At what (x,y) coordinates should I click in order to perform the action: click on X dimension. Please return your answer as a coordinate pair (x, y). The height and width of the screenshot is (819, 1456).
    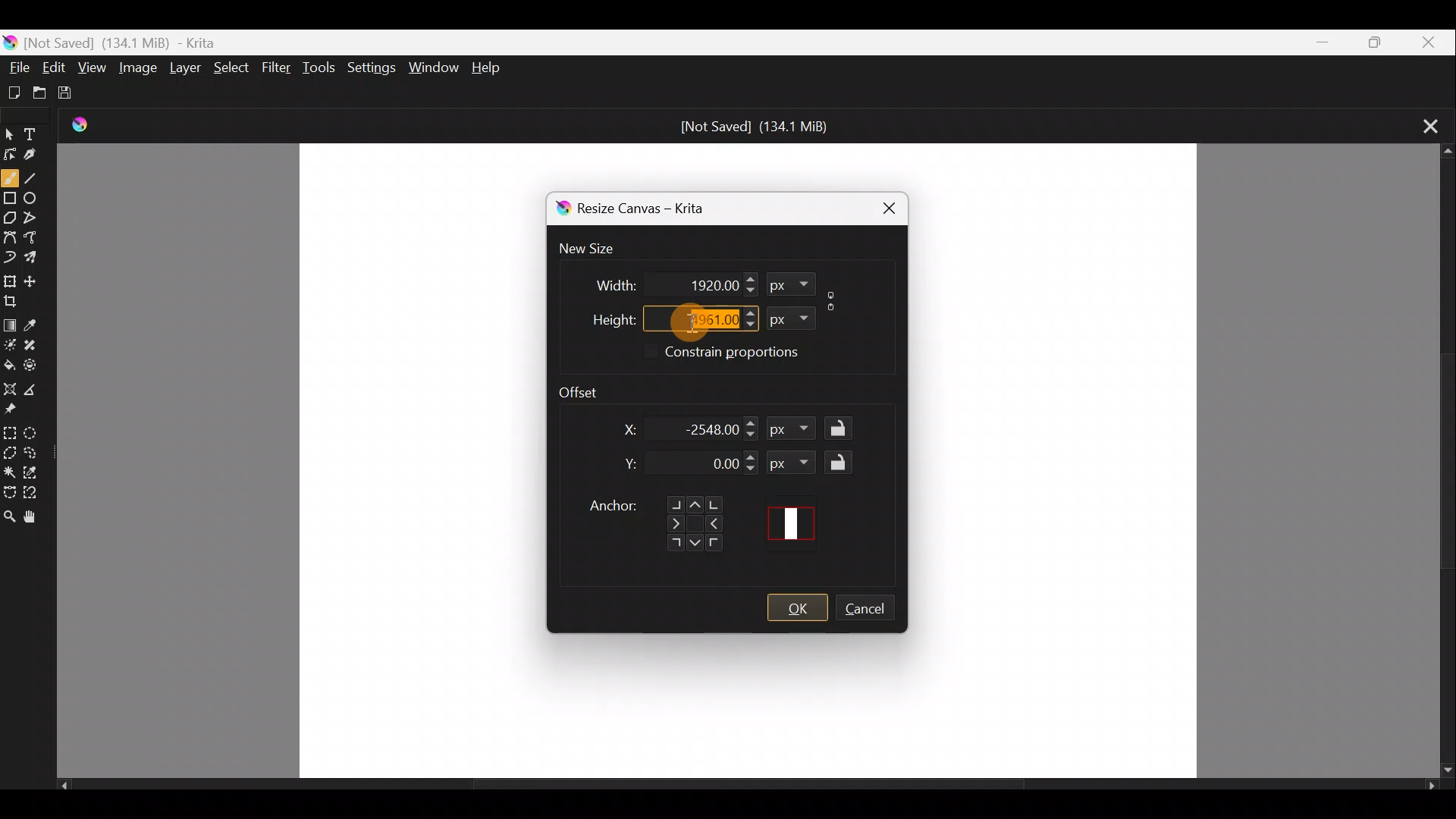
    Looking at the image, I should click on (620, 429).